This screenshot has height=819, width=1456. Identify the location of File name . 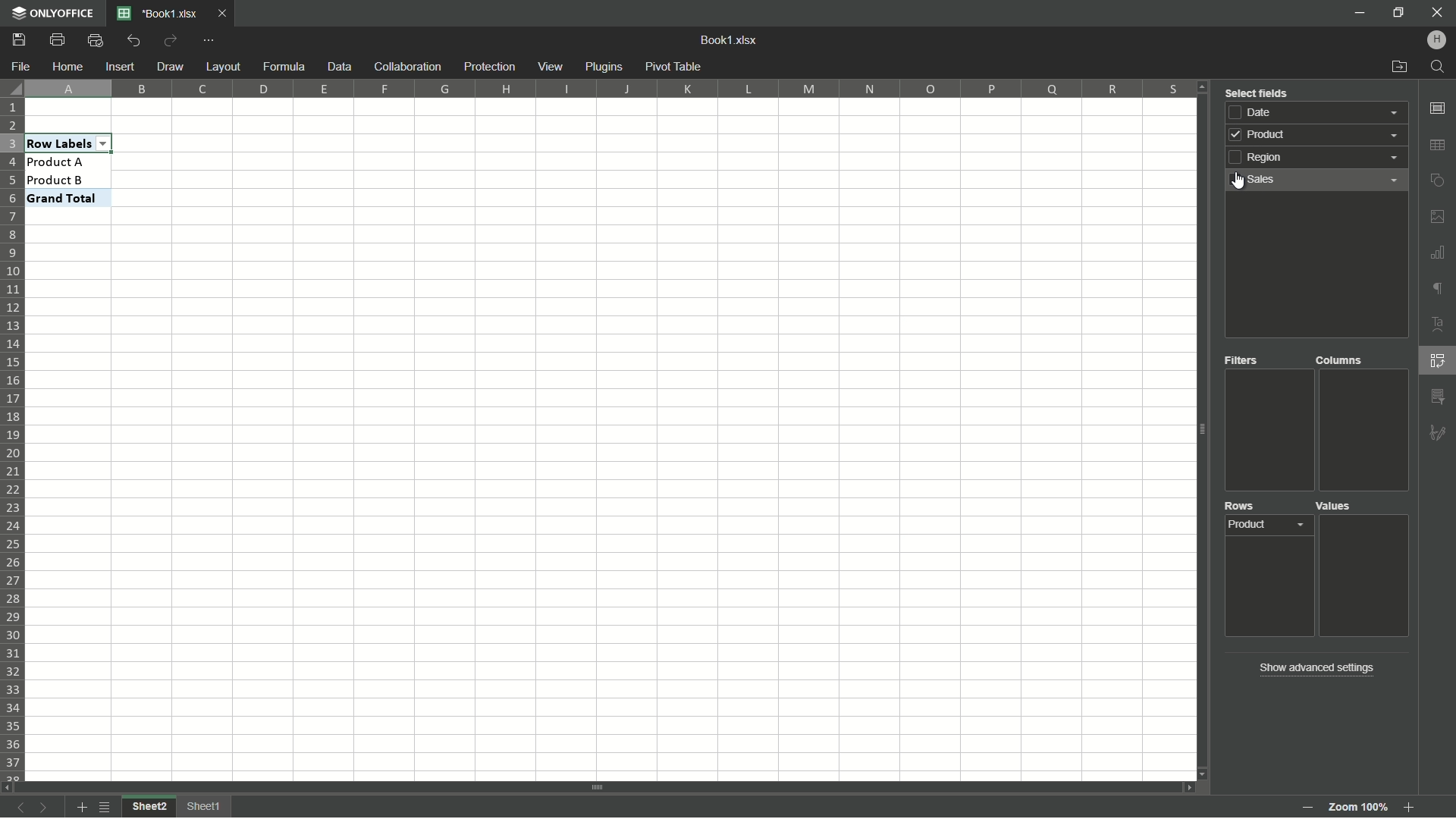
(159, 14).